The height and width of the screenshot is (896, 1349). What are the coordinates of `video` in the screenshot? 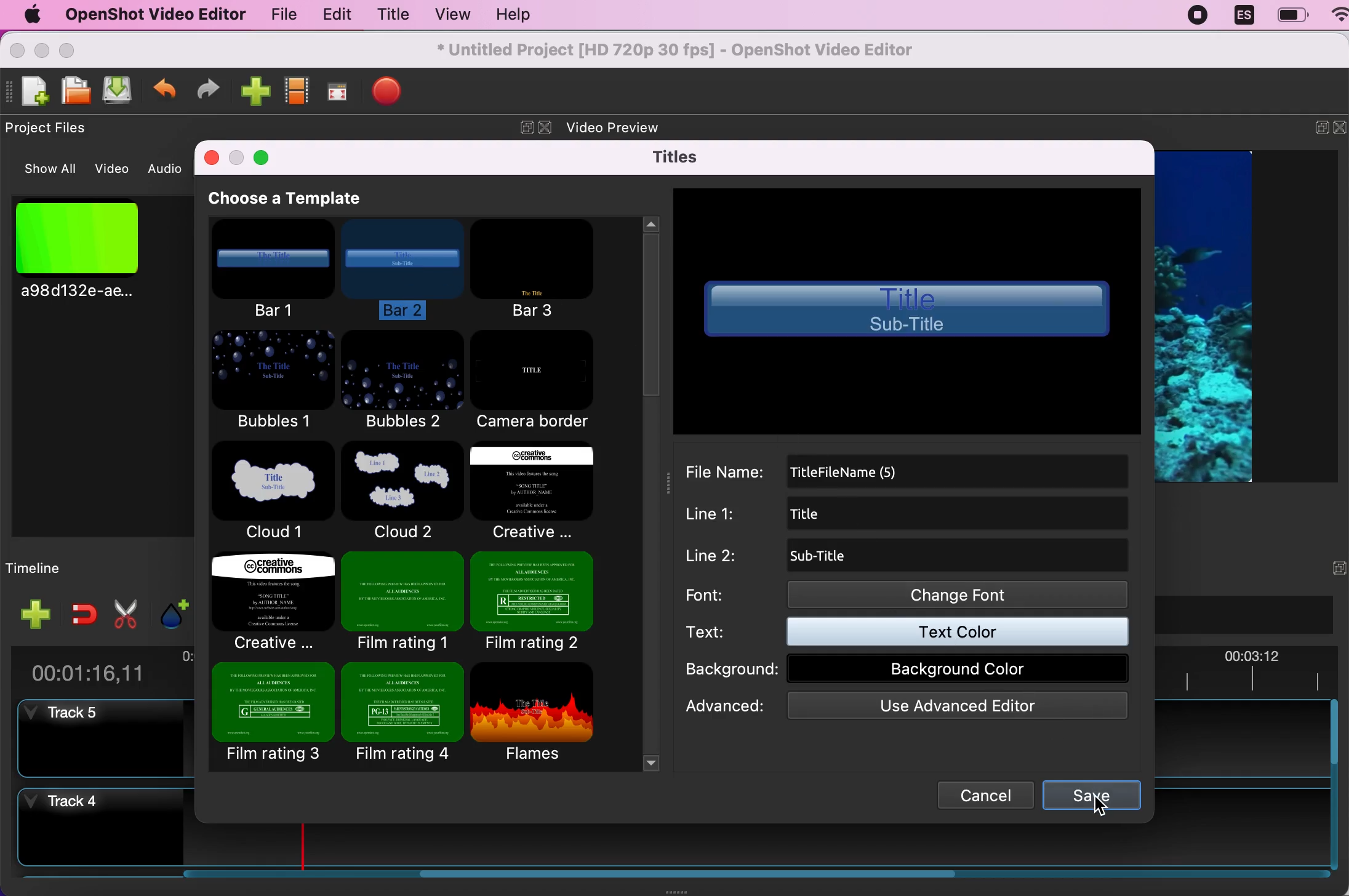 It's located at (114, 167).